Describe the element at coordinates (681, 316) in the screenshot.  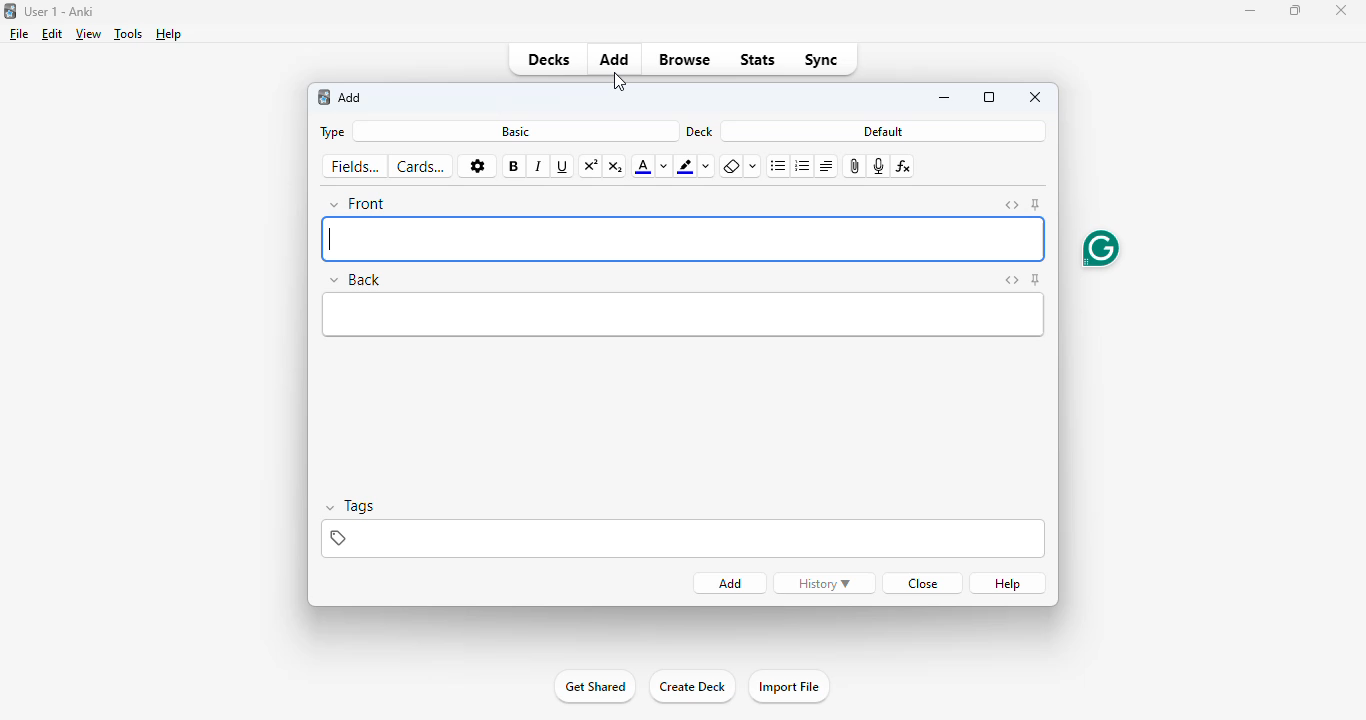
I see `back answer` at that location.